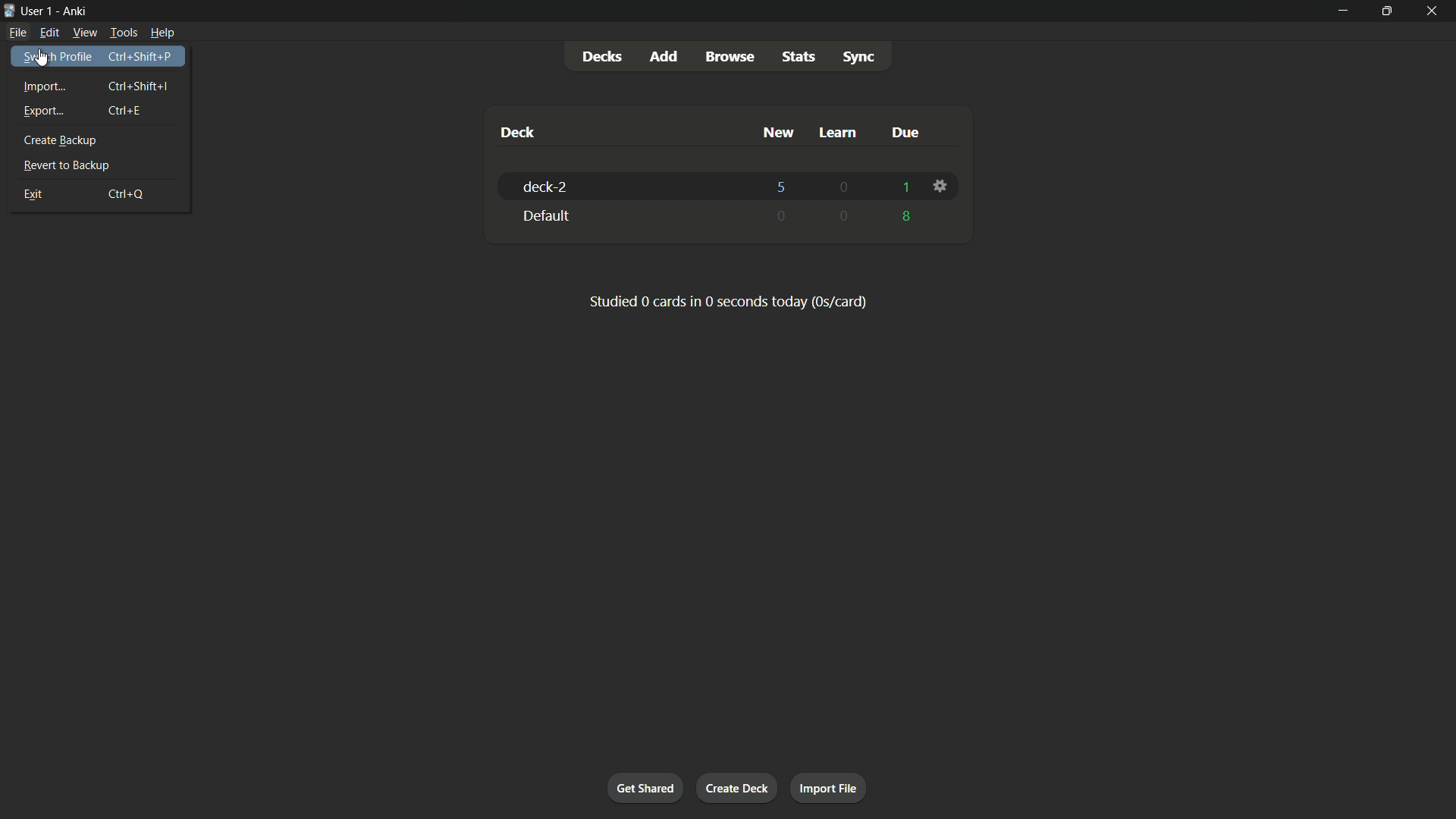  I want to click on Get shared, so click(643, 786).